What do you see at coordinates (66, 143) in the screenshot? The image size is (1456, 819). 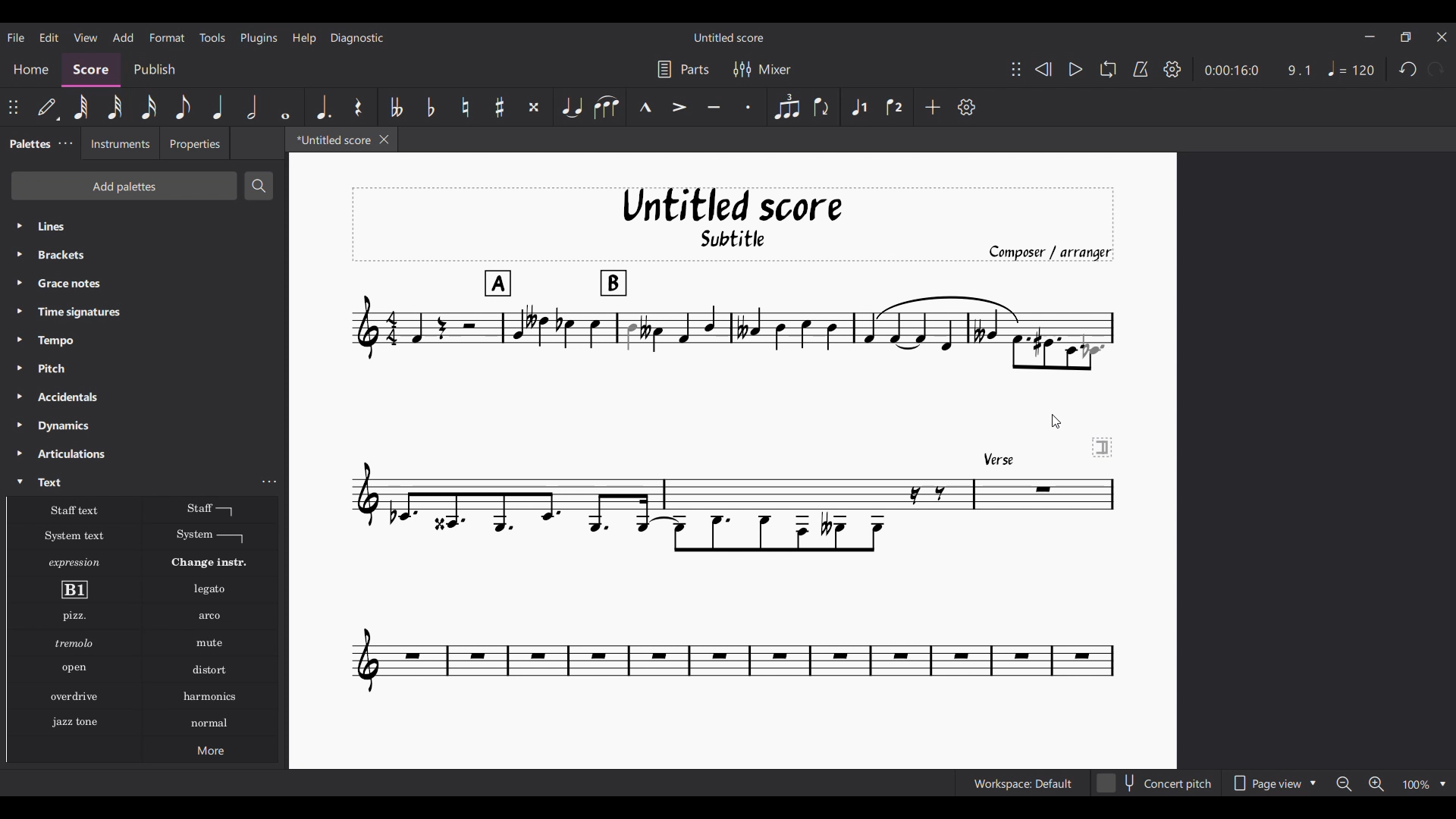 I see `Palette settings` at bounding box center [66, 143].